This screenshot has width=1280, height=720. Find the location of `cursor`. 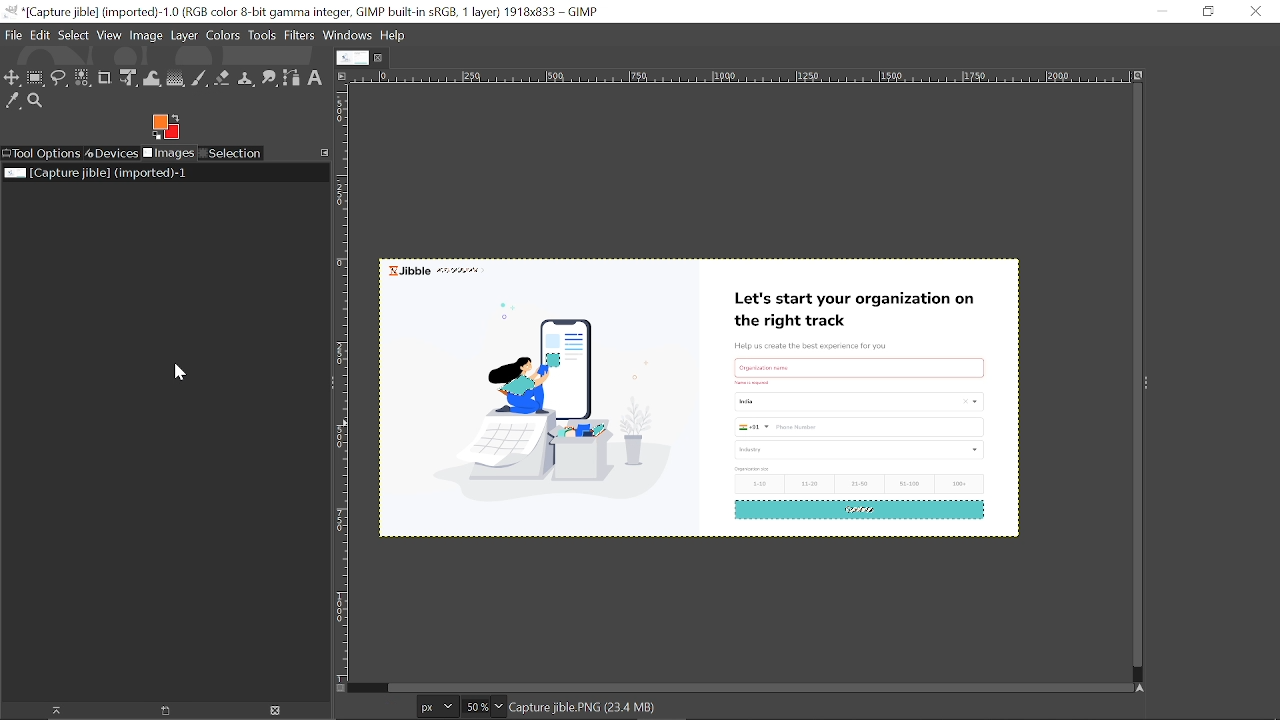

cursor is located at coordinates (179, 373).